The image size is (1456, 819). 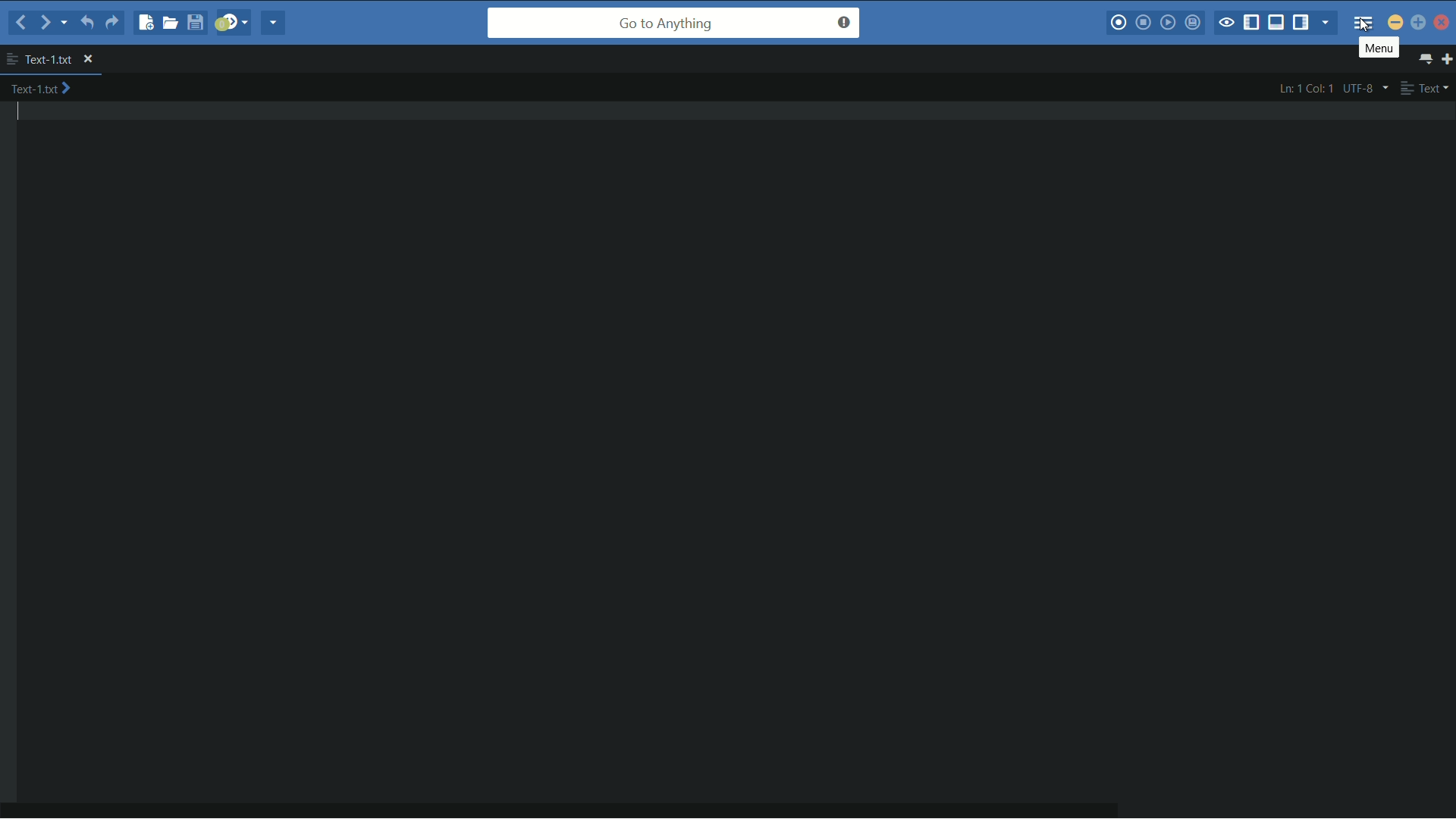 I want to click on save file, so click(x=193, y=24).